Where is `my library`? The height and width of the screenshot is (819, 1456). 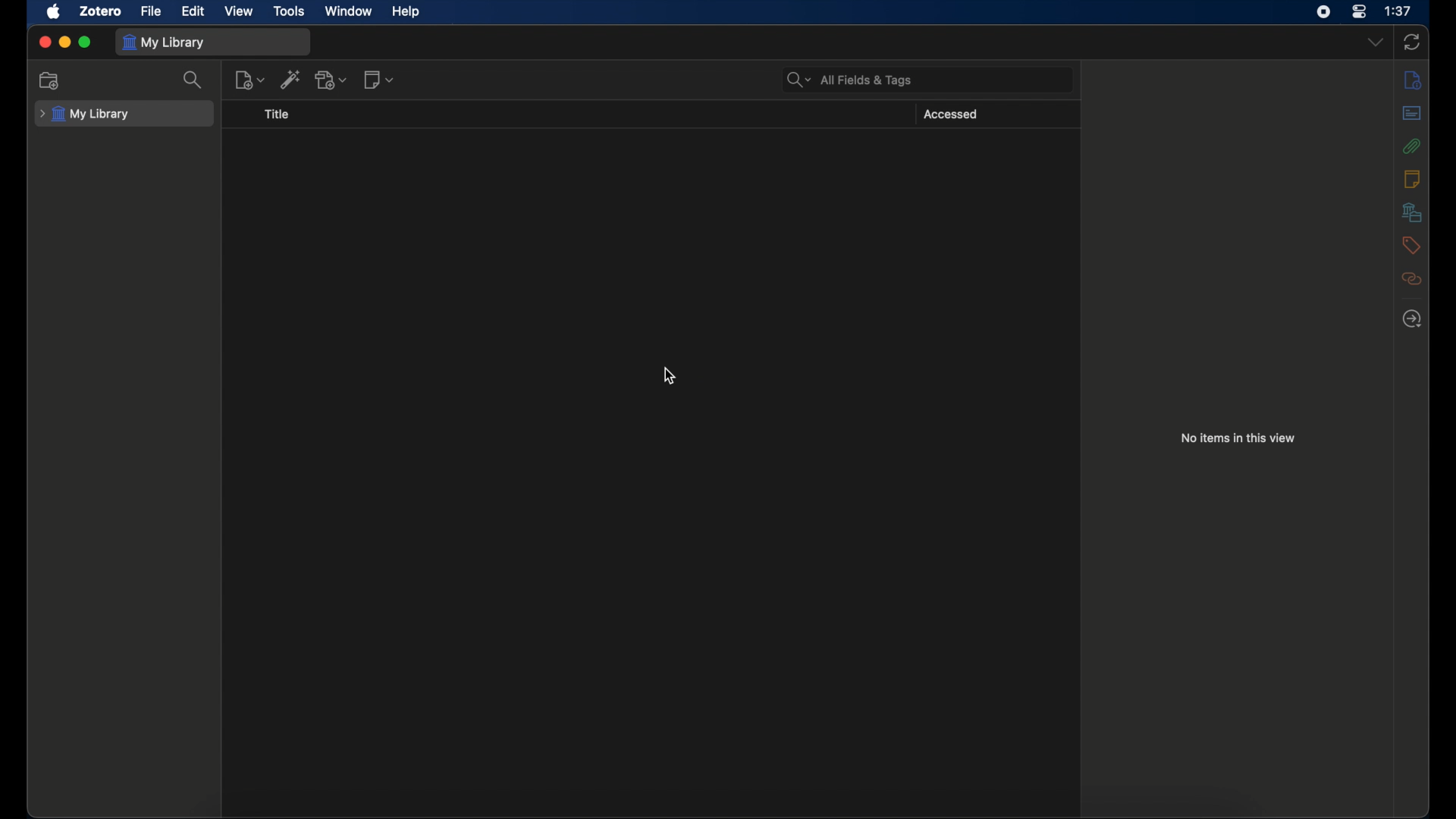
my library is located at coordinates (85, 115).